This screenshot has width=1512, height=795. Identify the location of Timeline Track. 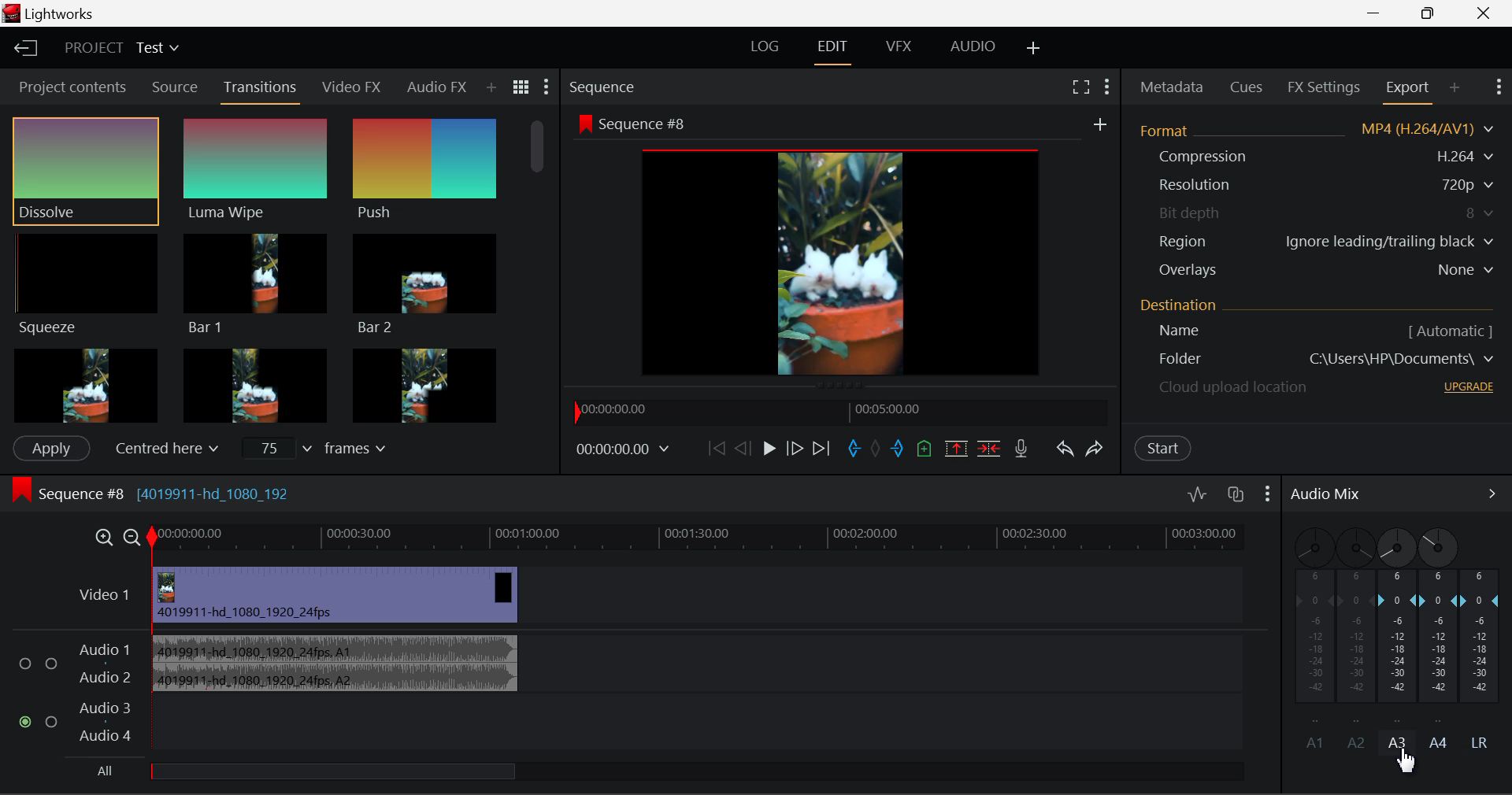
(712, 539).